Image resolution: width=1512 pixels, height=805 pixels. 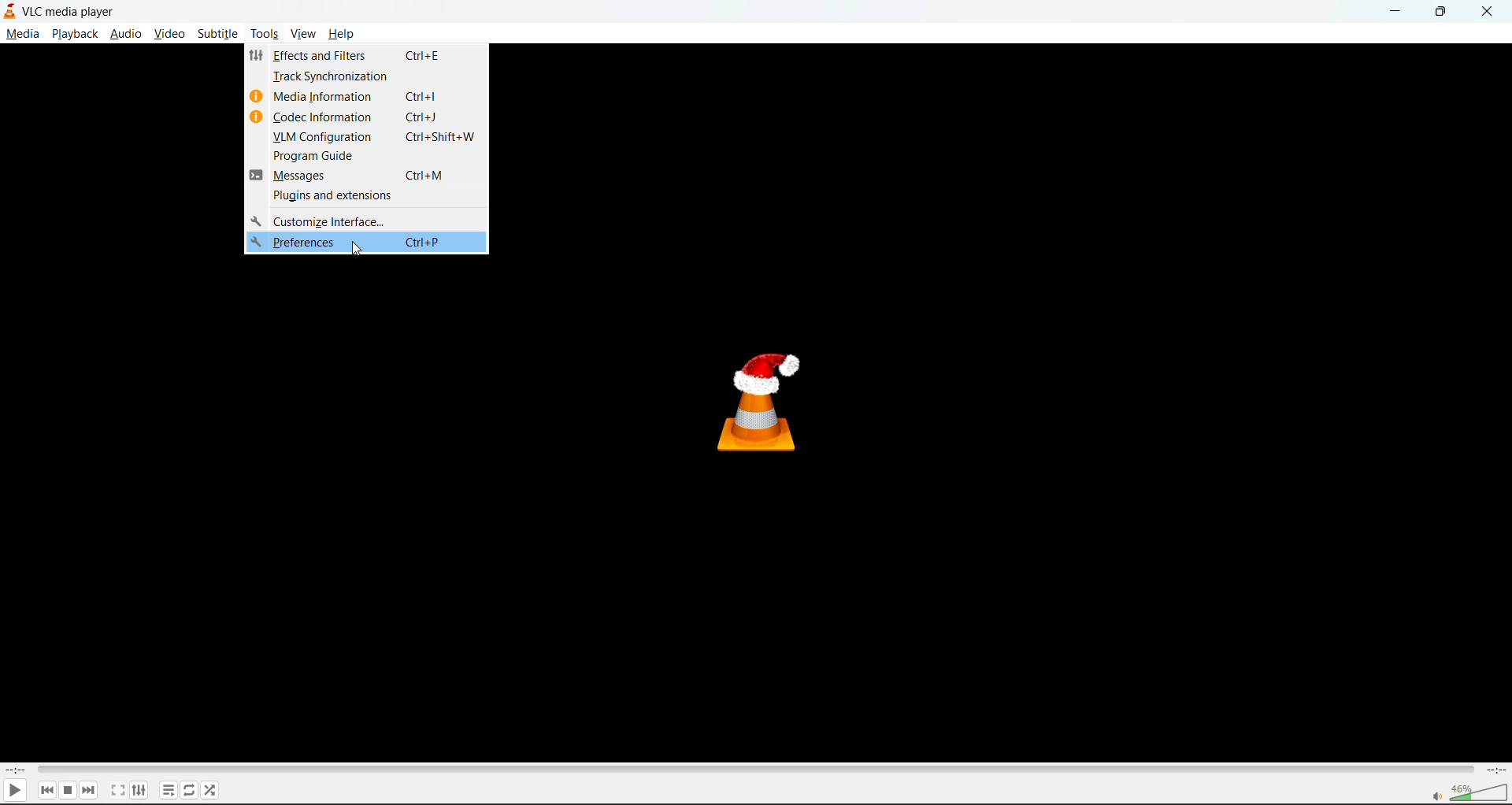 I want to click on customize interface, so click(x=319, y=220).